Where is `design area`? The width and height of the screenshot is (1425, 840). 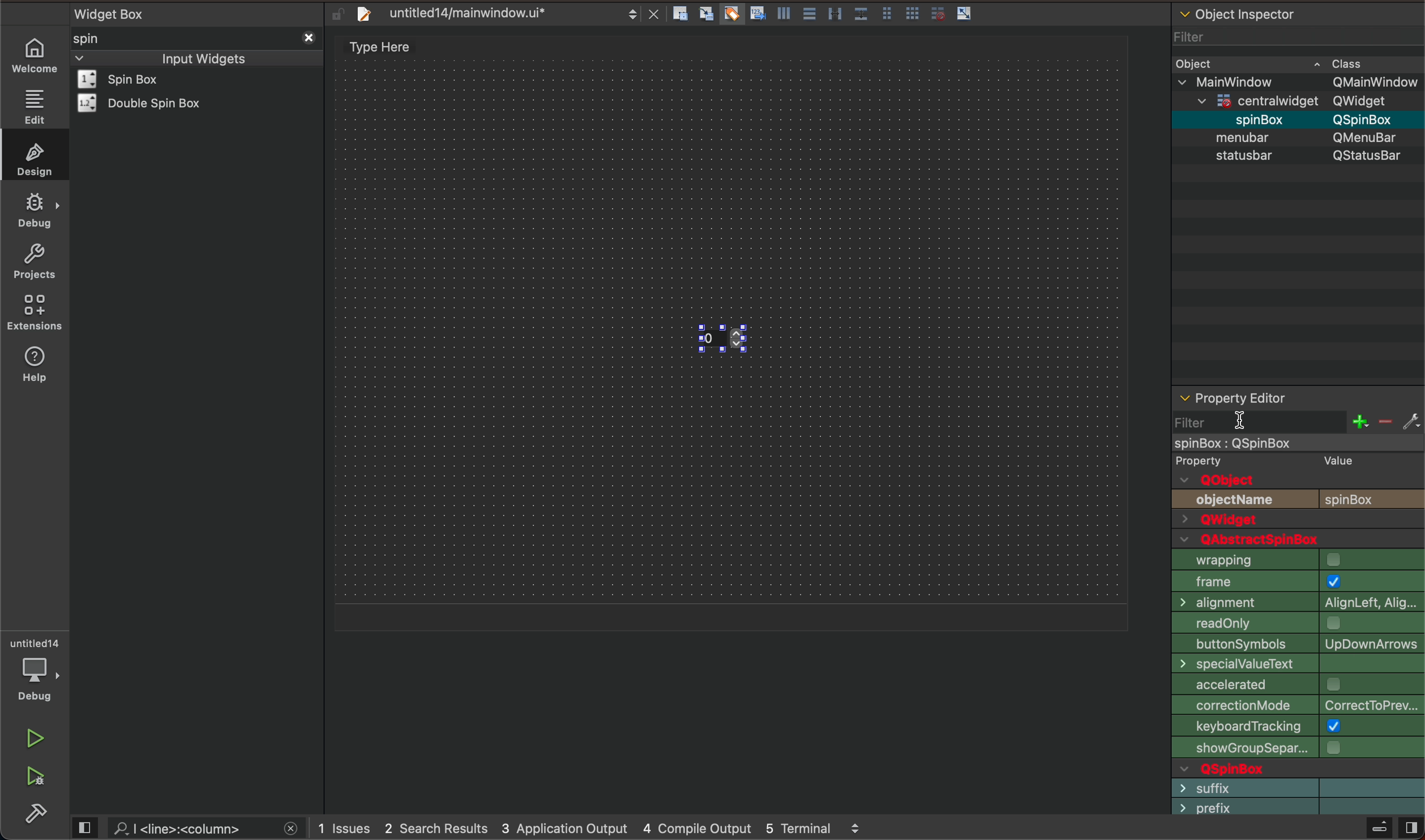 design area is located at coordinates (387, 47).